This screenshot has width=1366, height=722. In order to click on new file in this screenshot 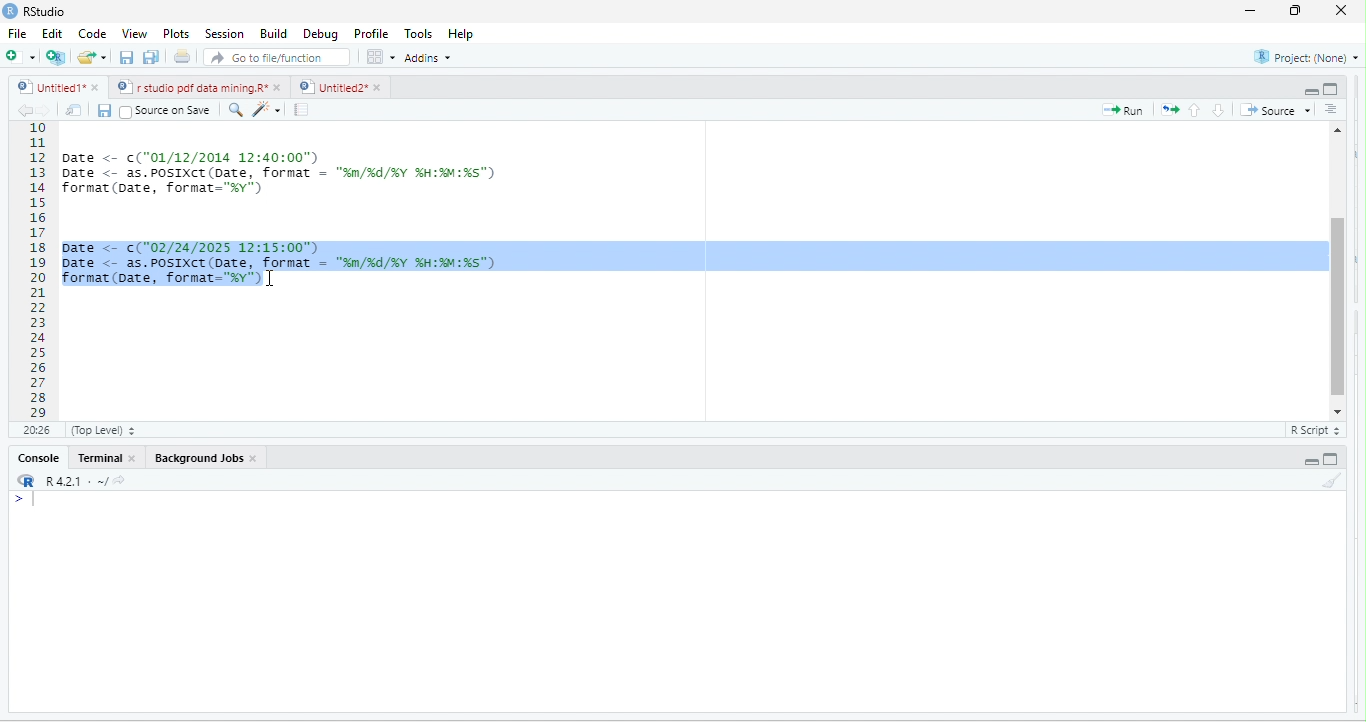, I will do `click(17, 56)`.